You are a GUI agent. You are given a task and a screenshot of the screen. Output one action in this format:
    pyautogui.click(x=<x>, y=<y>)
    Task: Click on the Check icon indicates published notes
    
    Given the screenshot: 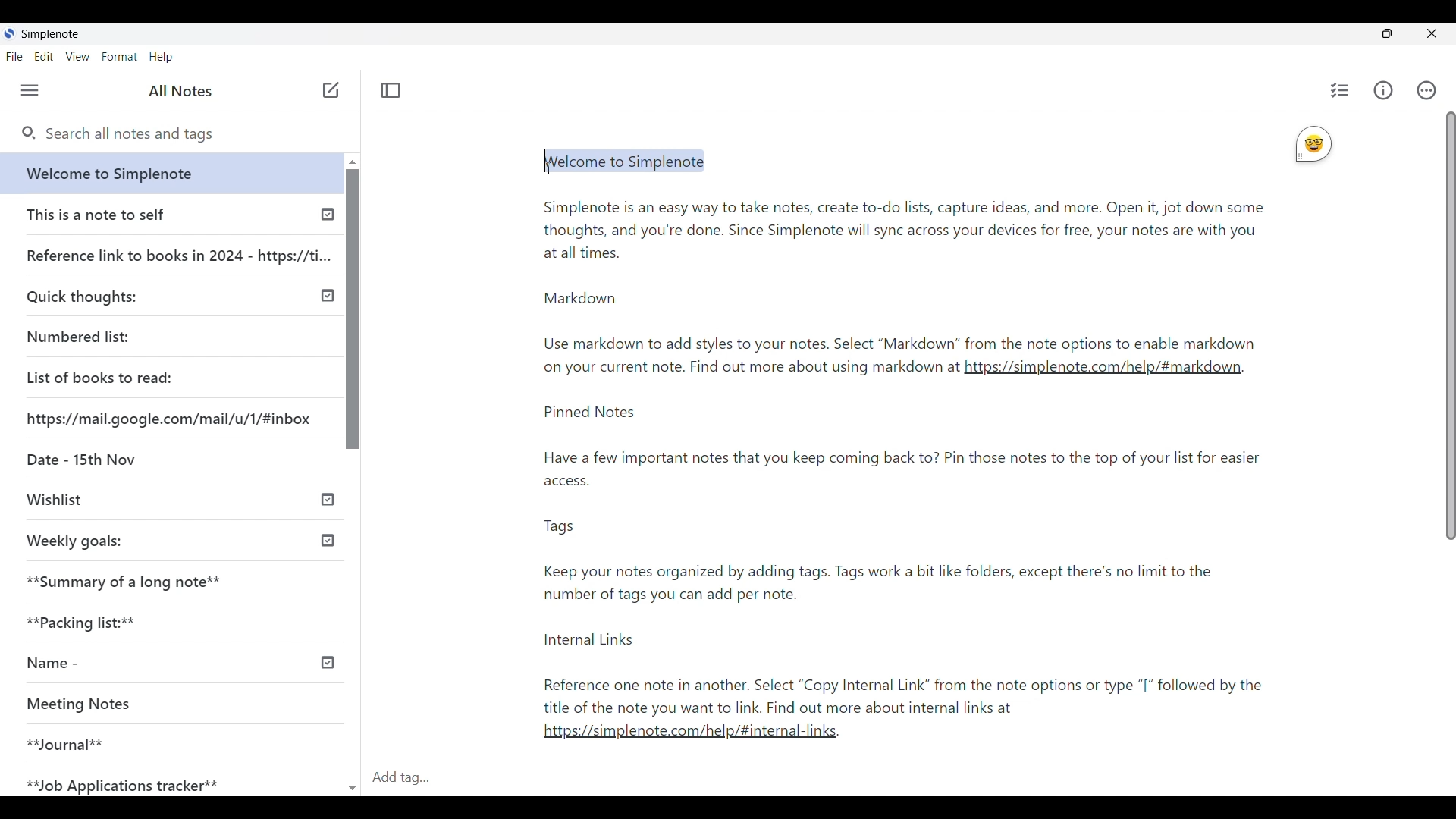 What is the action you would take?
    pyautogui.click(x=326, y=538)
    